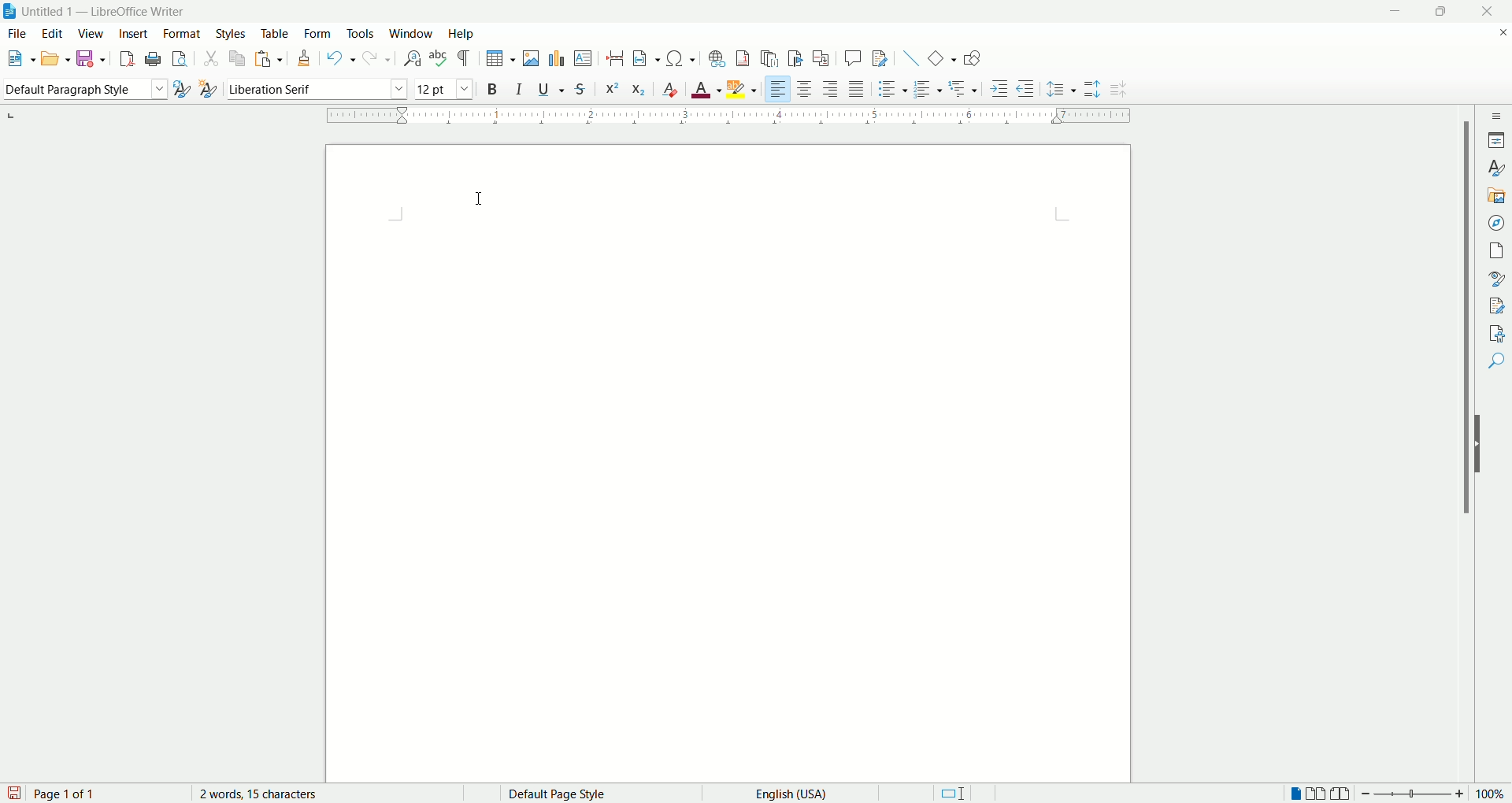 The image size is (1512, 803). I want to click on font size, so click(444, 91).